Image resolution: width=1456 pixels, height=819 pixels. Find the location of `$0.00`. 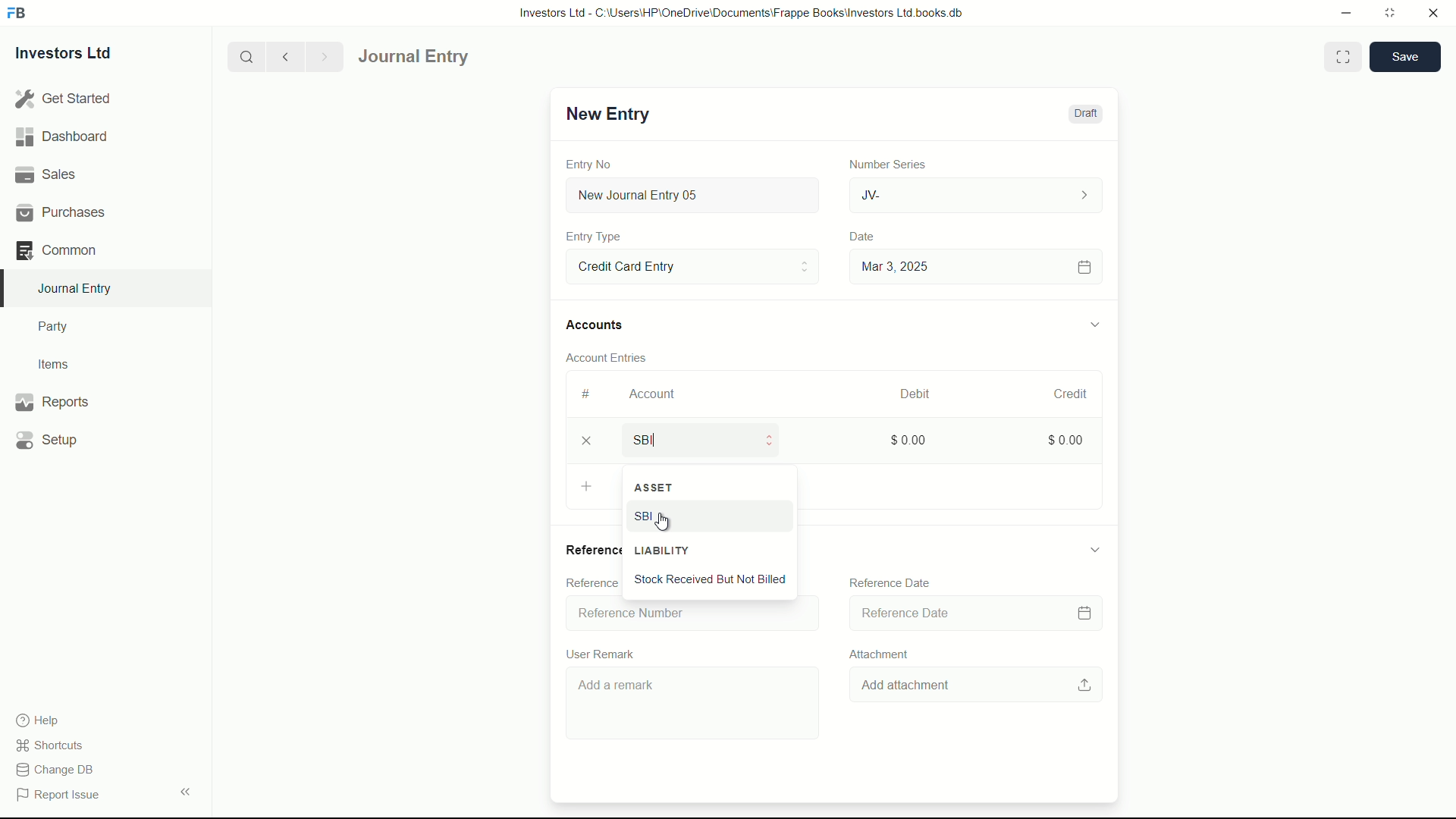

$0.00 is located at coordinates (1059, 438).